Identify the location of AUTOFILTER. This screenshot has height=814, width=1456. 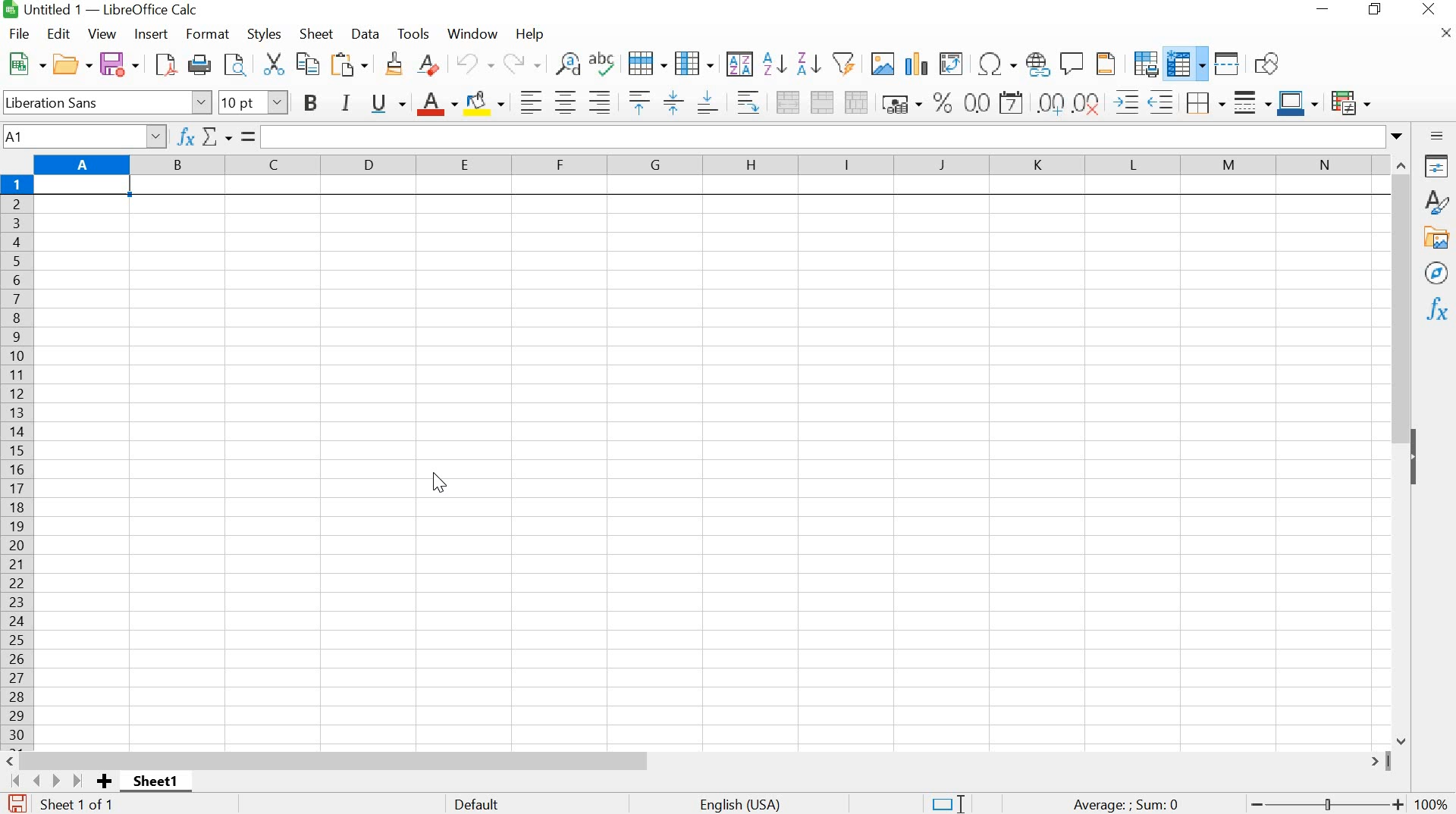
(843, 61).